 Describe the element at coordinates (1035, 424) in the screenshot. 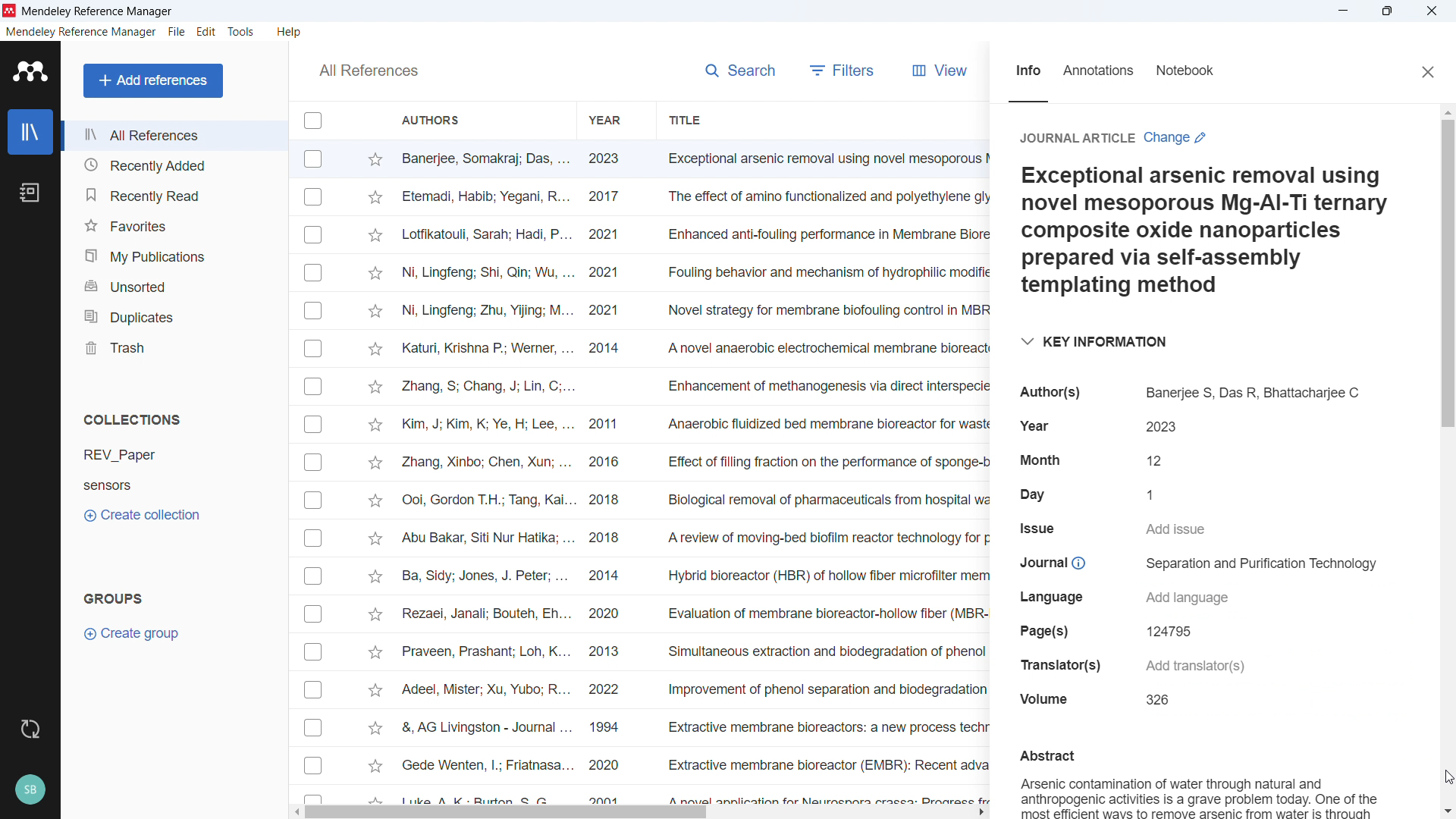

I see `year` at that location.